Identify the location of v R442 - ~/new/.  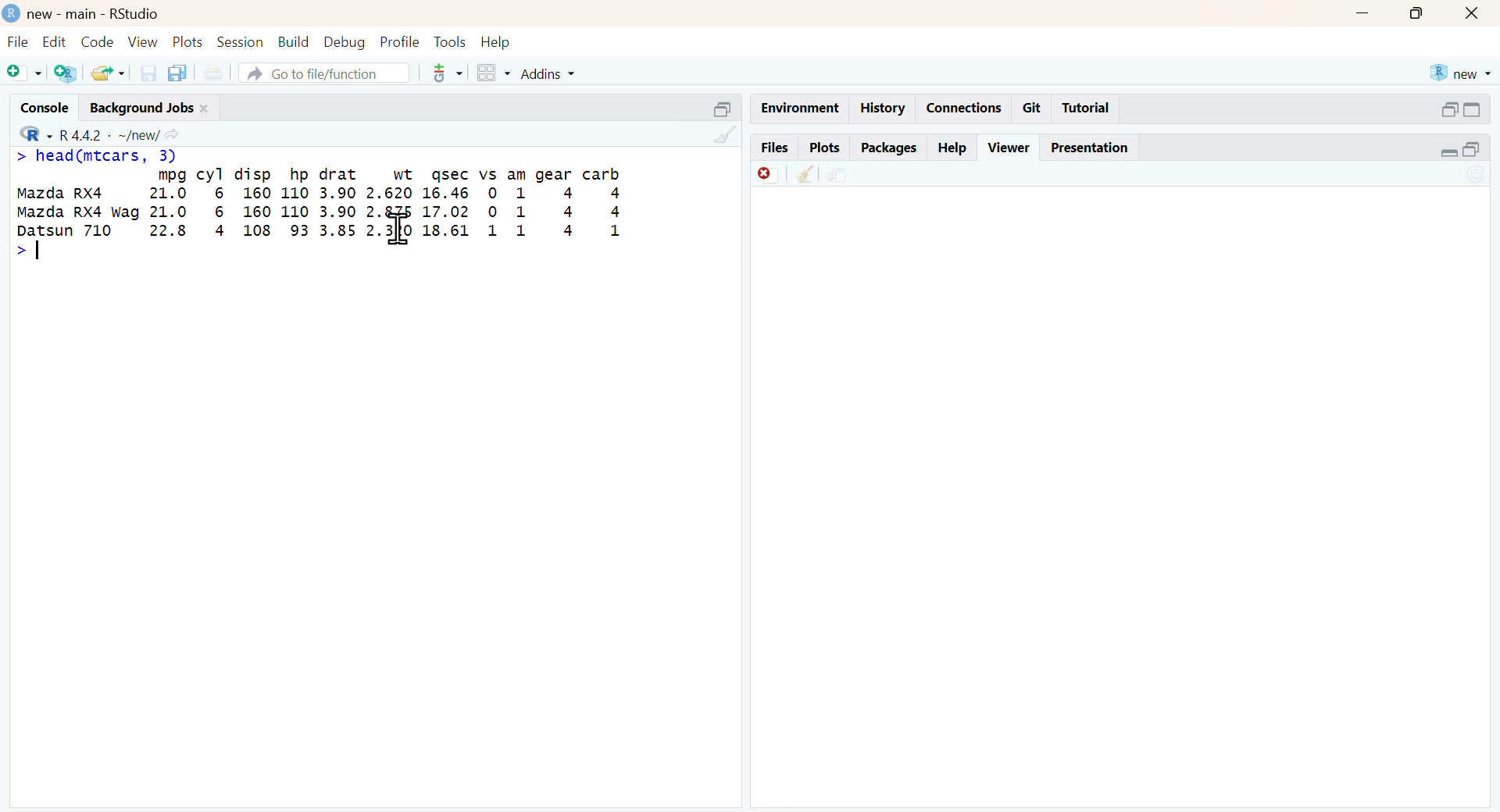
(129, 134).